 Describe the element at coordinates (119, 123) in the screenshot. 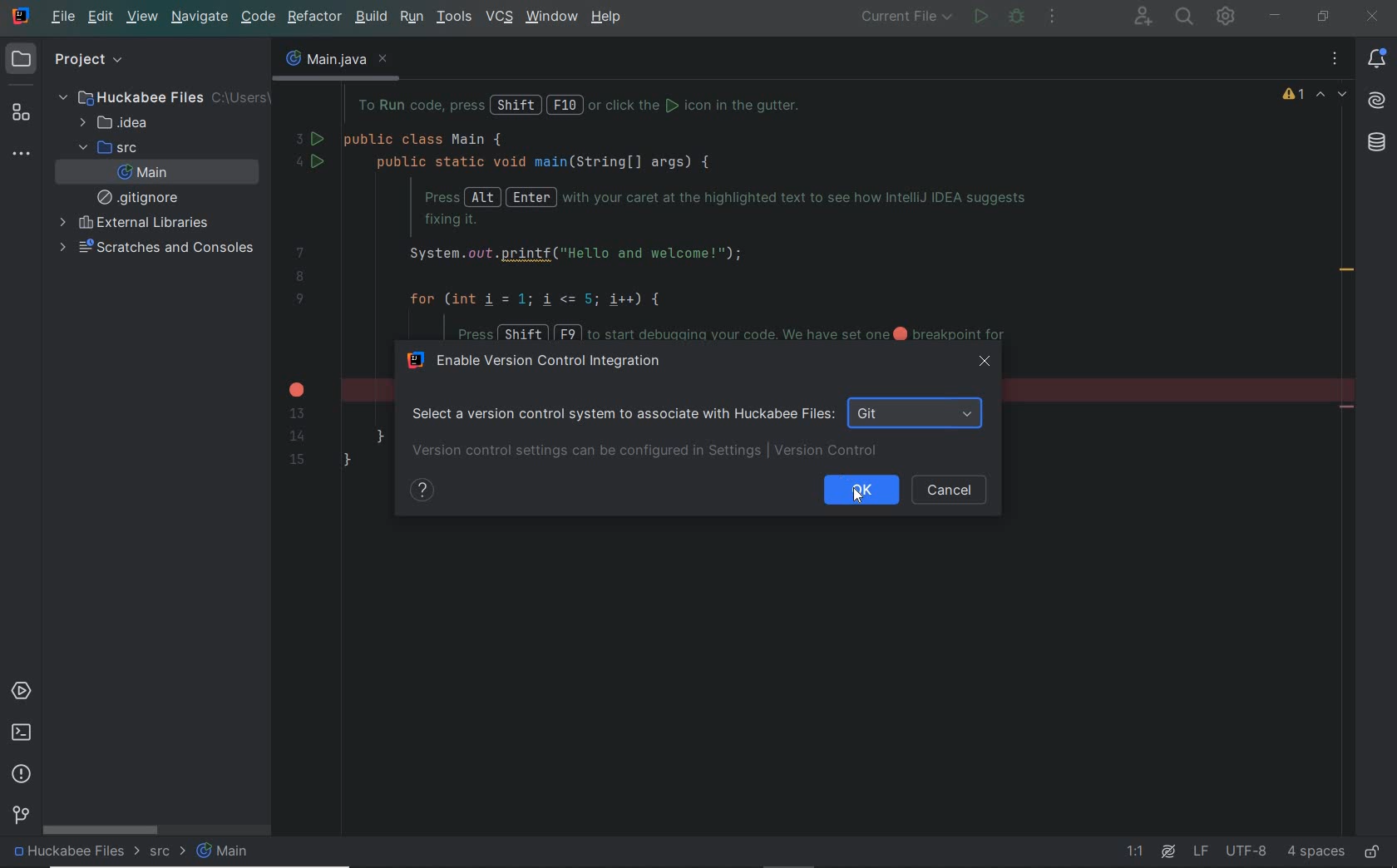

I see `idea` at that location.